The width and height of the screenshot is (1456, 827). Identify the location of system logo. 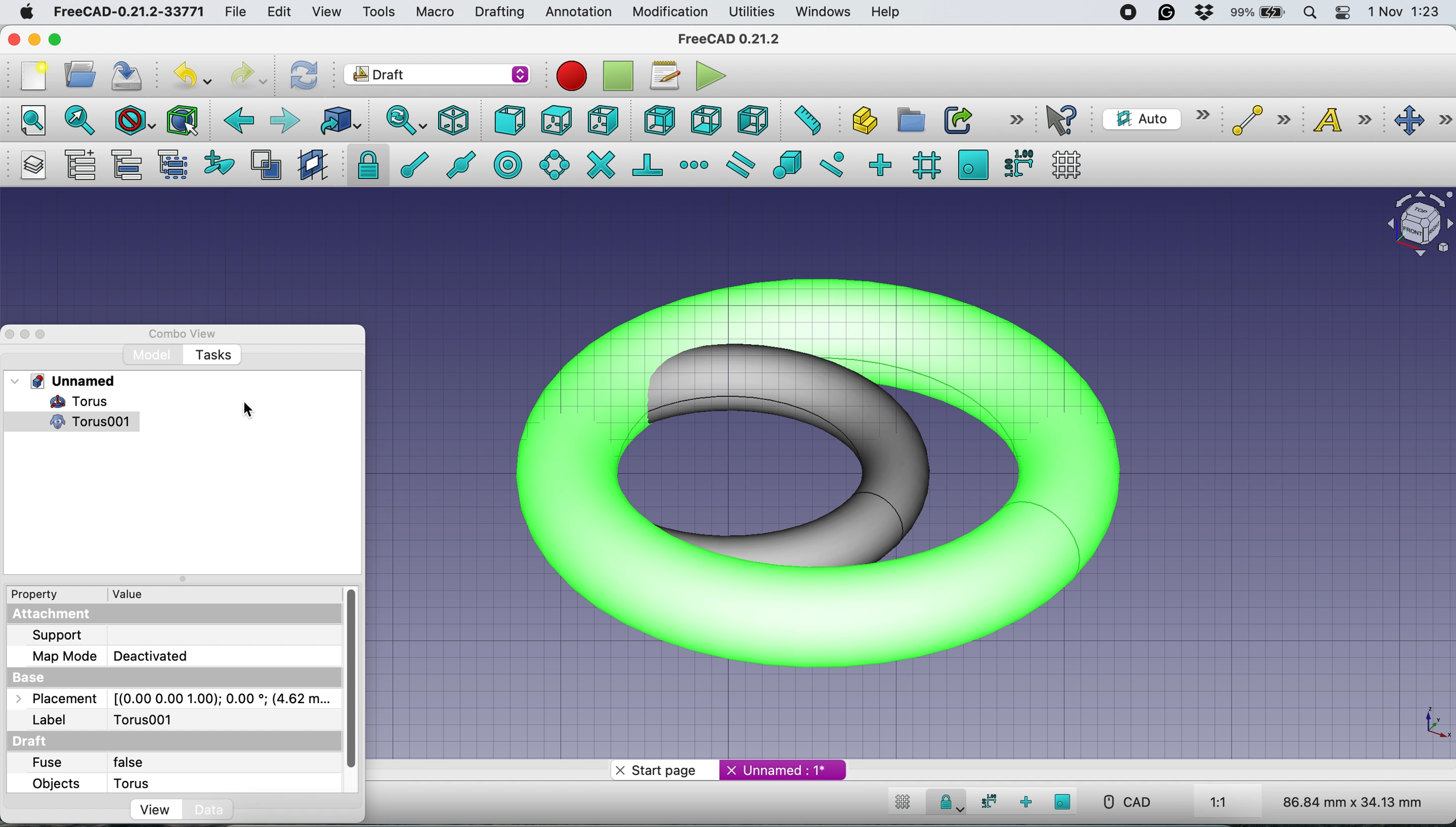
(24, 14).